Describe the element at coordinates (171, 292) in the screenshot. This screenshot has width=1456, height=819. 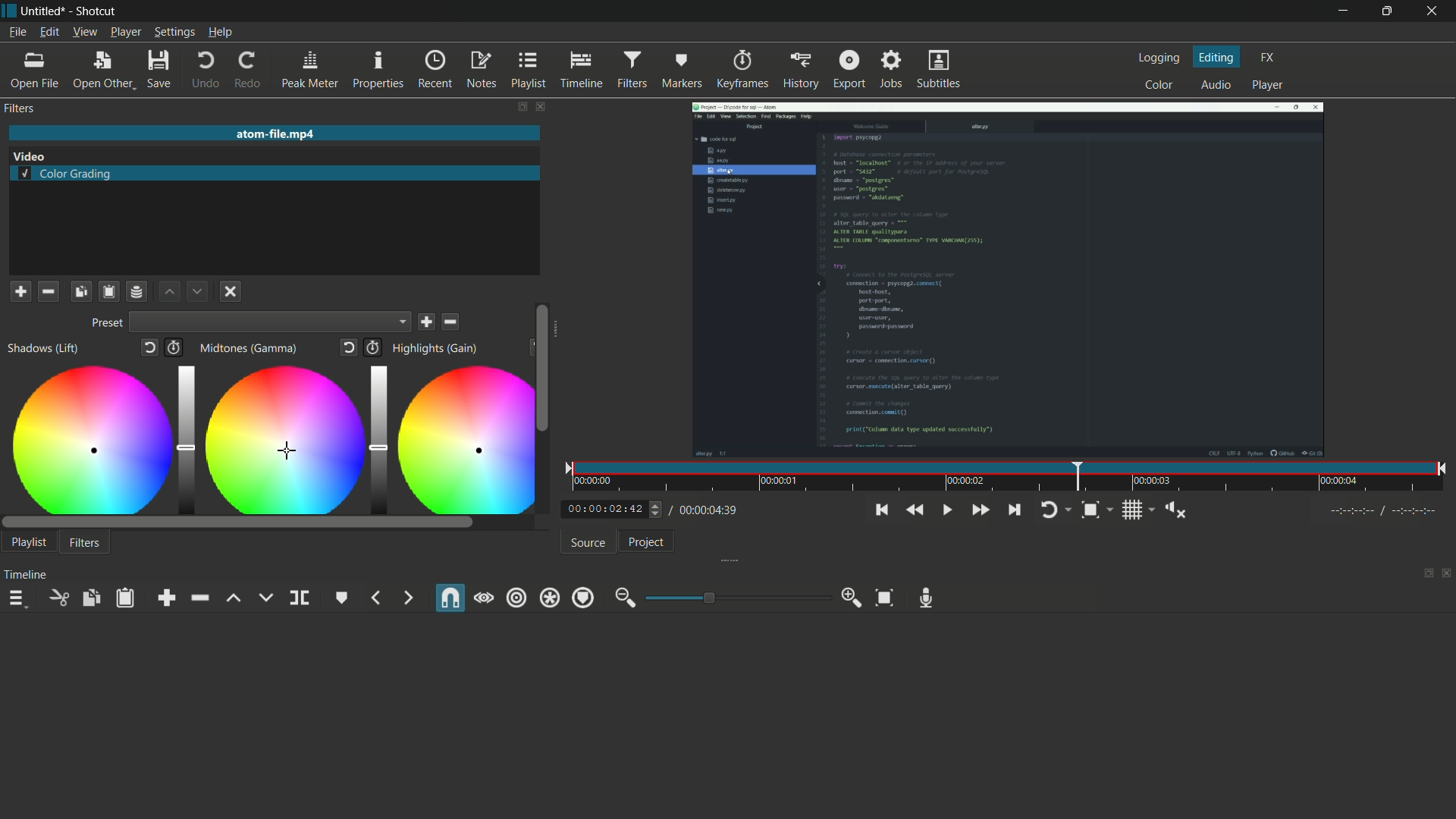
I see `Up` at that location.